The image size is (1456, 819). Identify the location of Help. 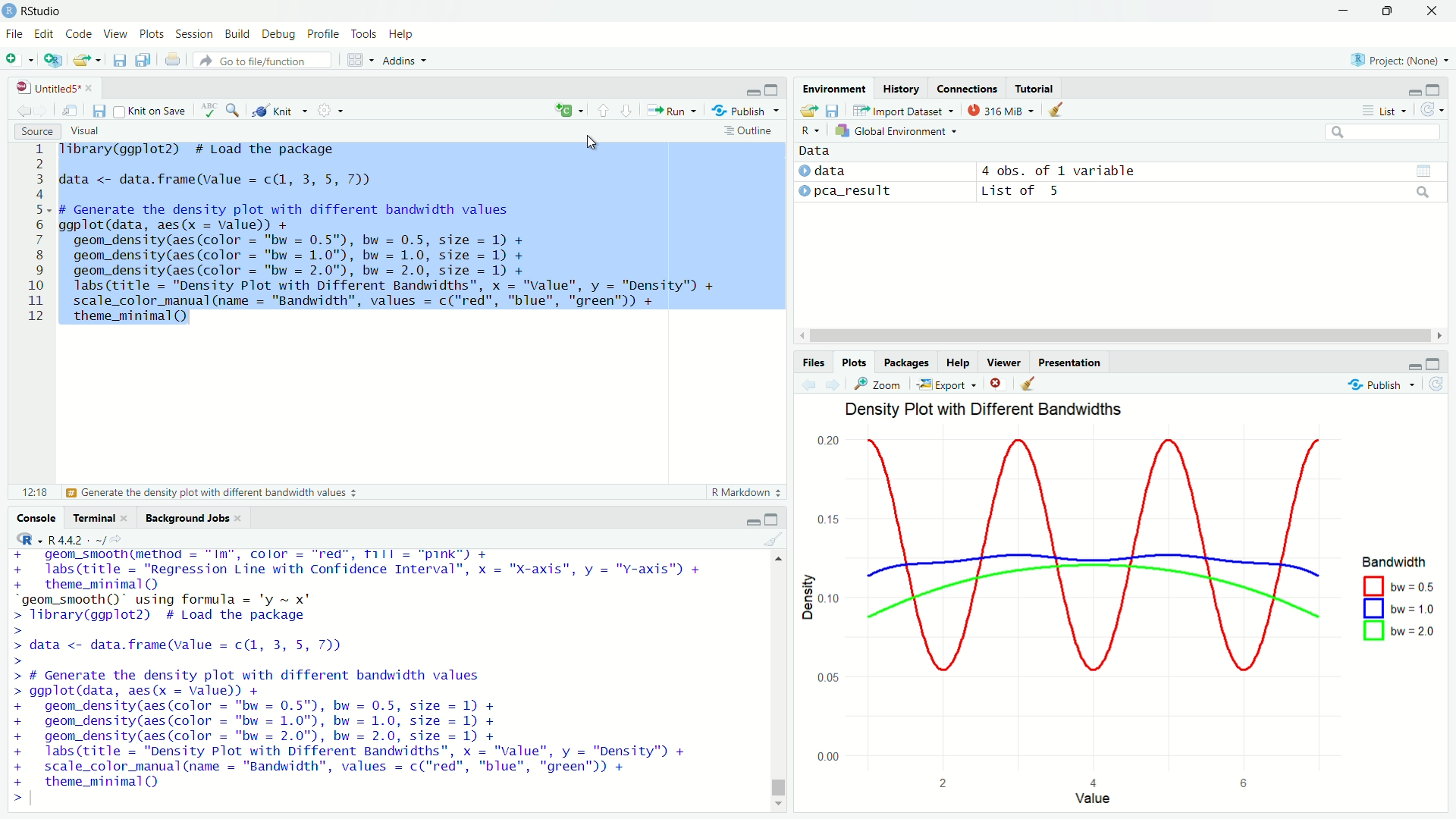
(402, 34).